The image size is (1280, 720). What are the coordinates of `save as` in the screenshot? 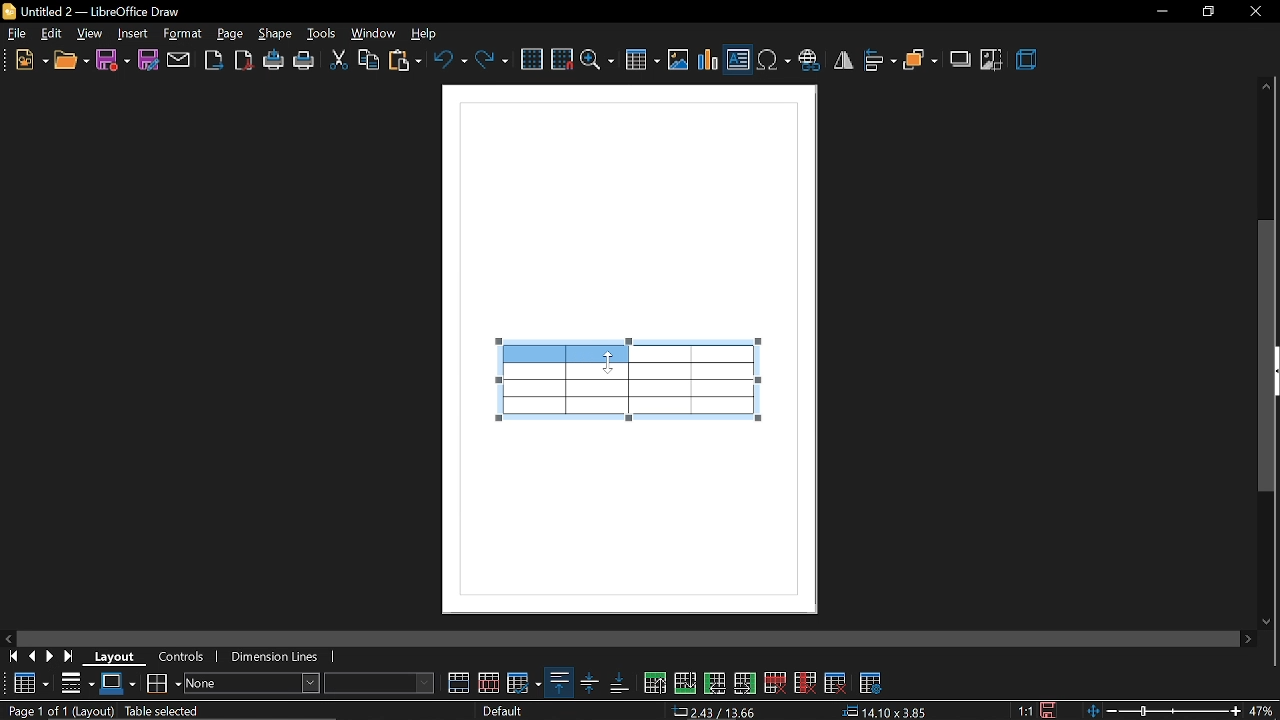 It's located at (149, 61).